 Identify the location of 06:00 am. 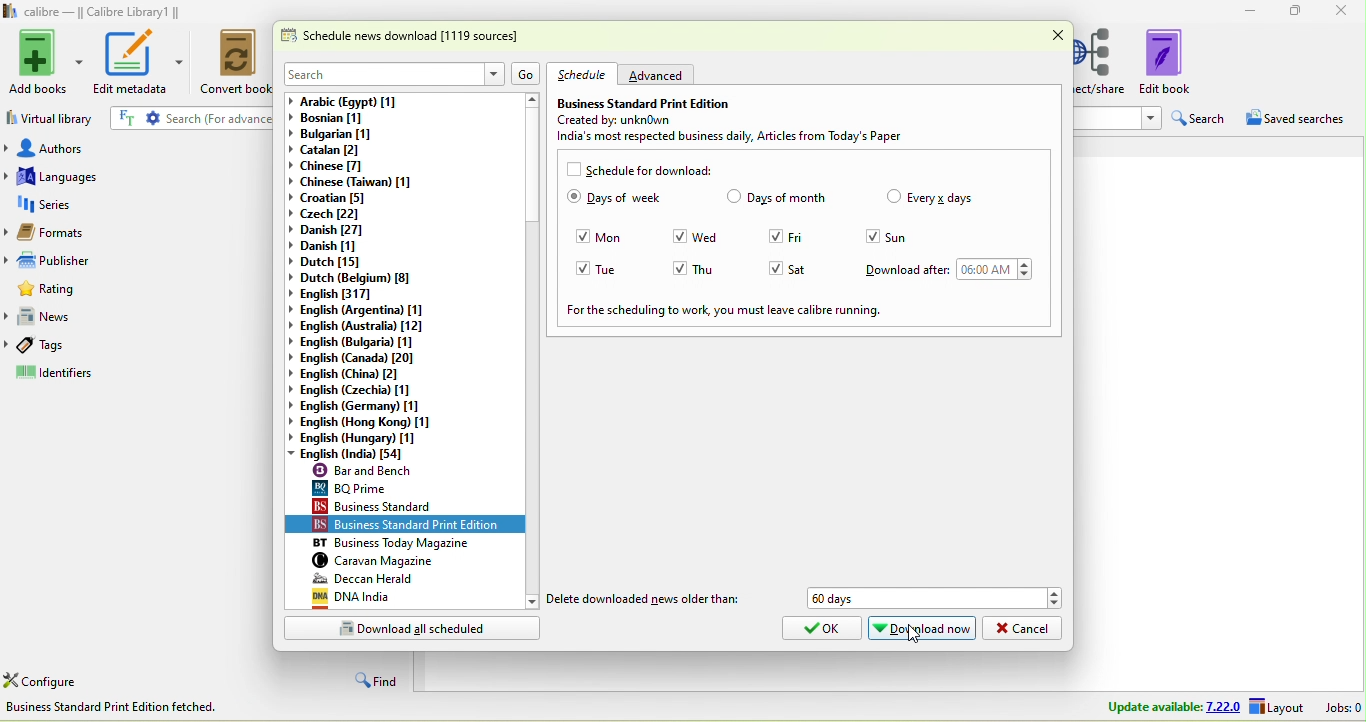
(987, 270).